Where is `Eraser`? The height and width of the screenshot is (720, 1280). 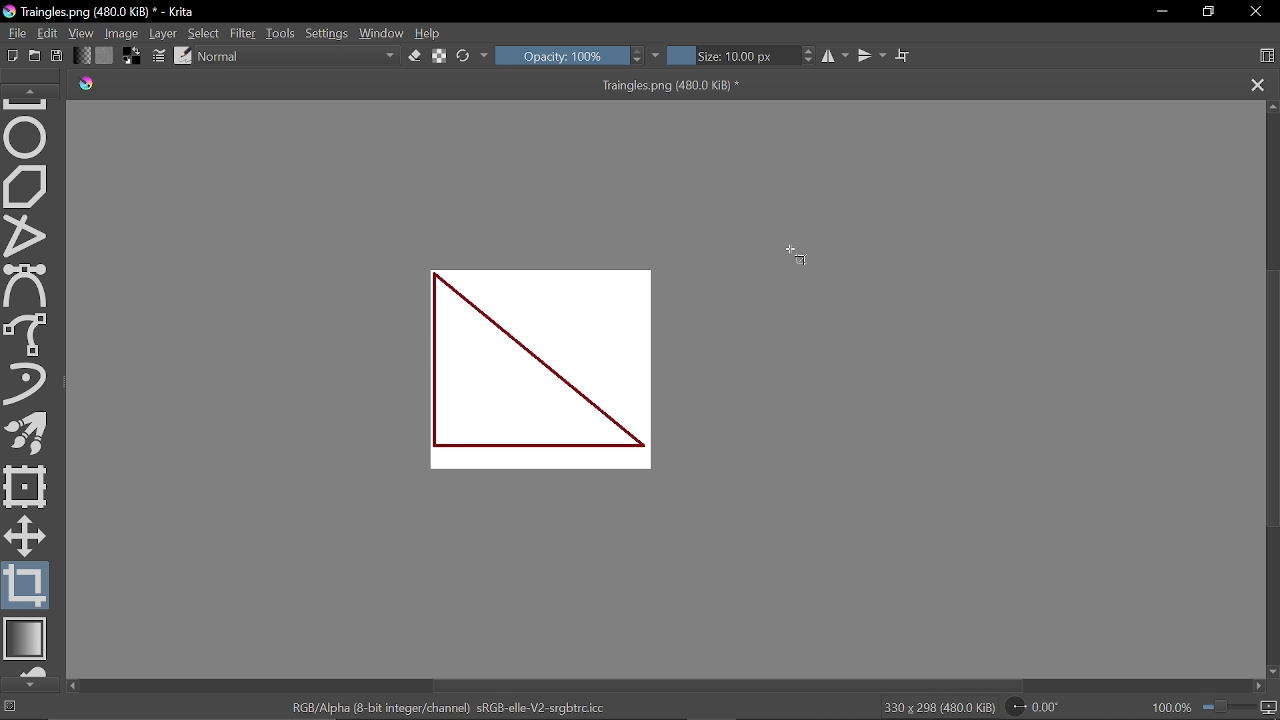
Eraser is located at coordinates (414, 56).